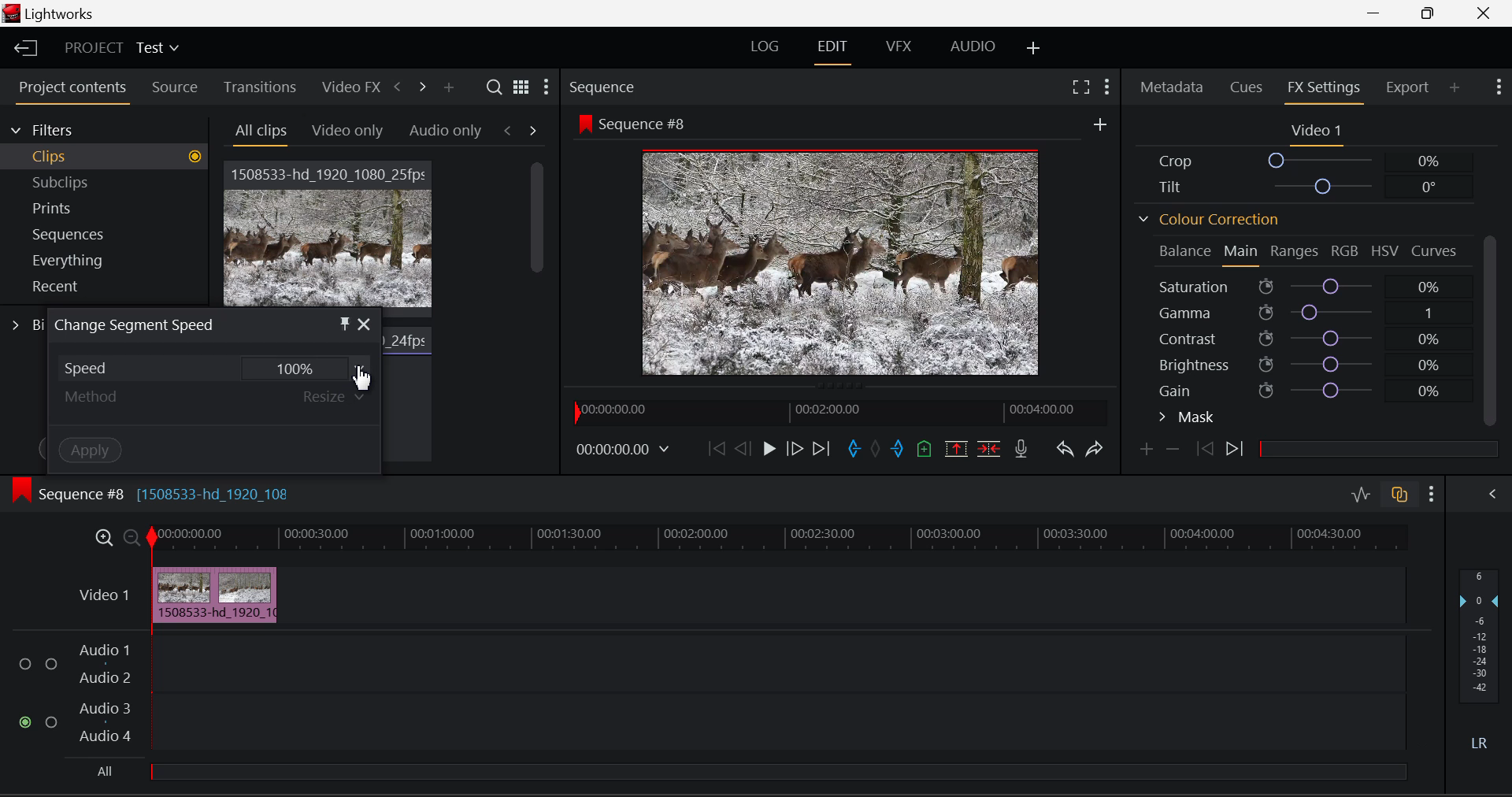 This screenshot has height=797, width=1512. Describe the element at coordinates (770, 450) in the screenshot. I see `Play` at that location.